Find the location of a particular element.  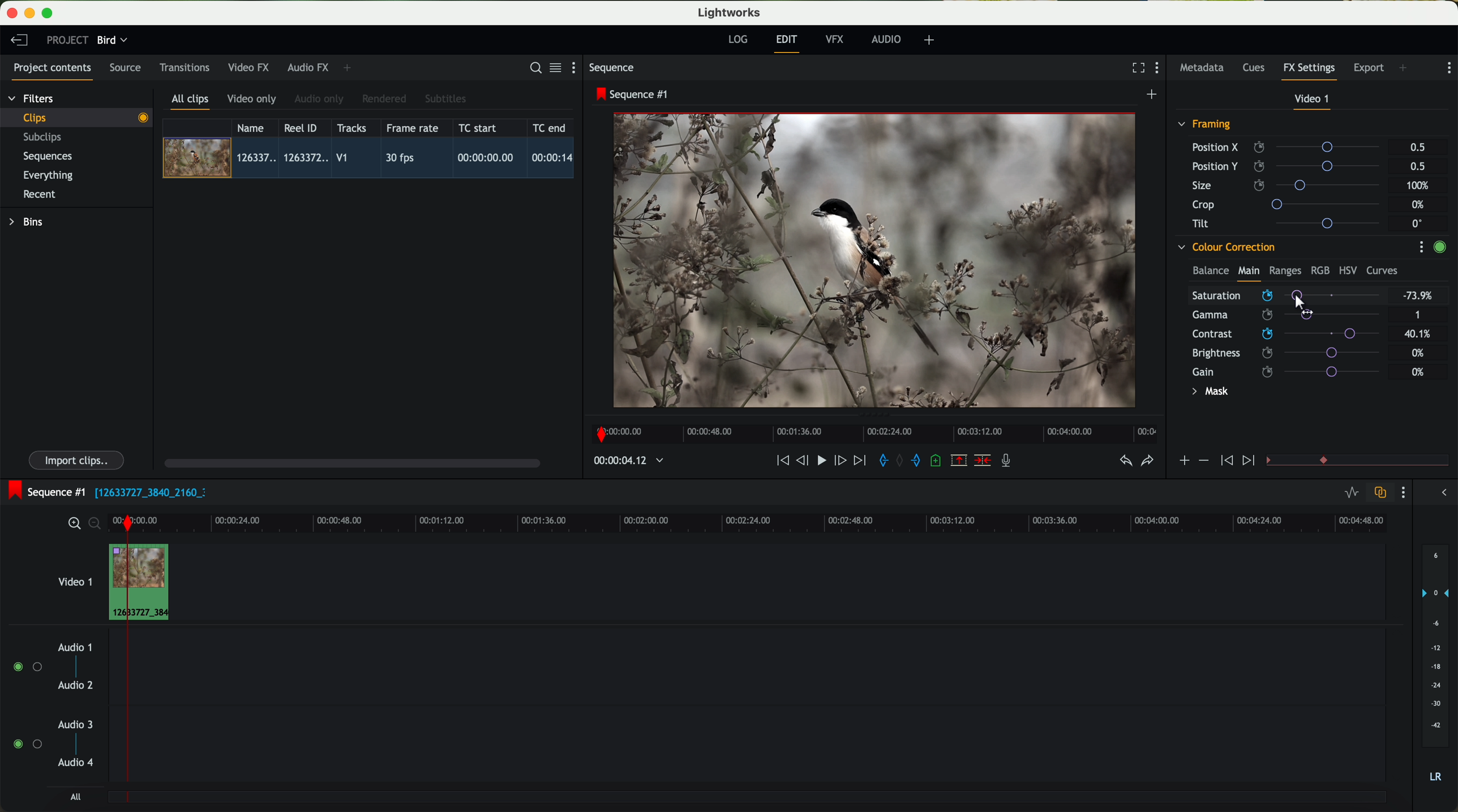

export is located at coordinates (1369, 69).